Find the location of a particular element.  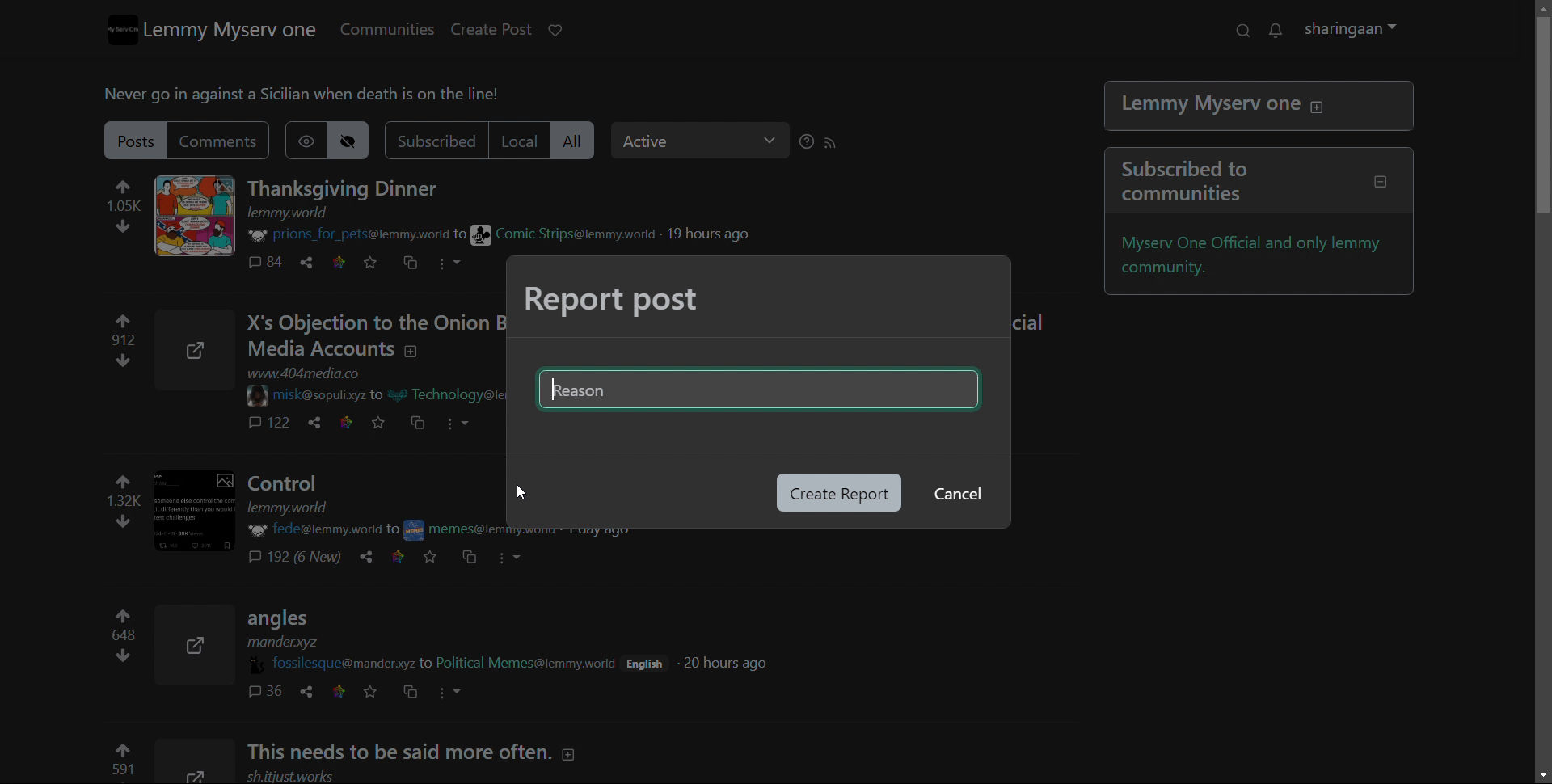

comments is located at coordinates (230, 142).